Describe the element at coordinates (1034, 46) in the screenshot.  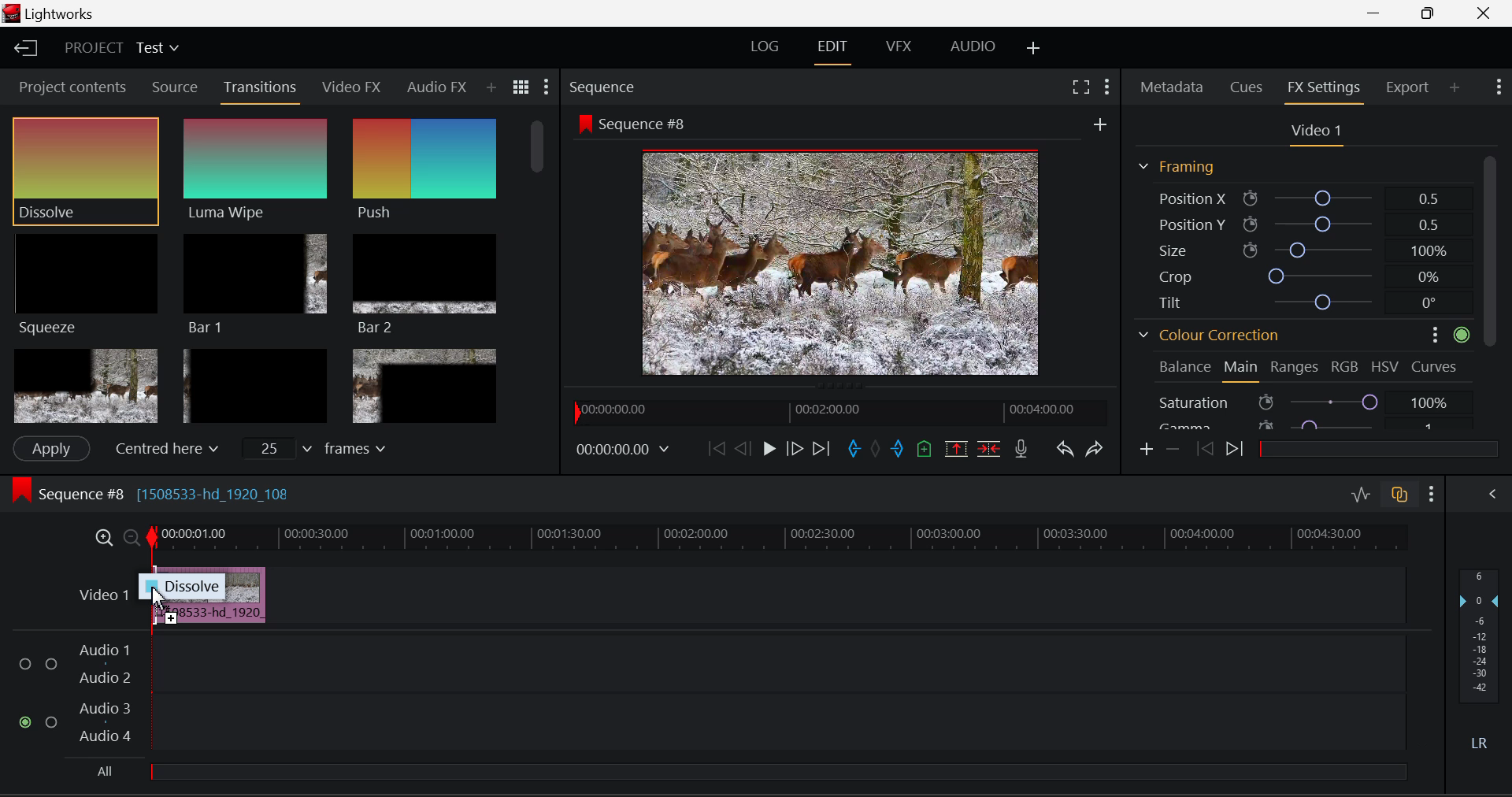
I see `Add Layout` at that location.